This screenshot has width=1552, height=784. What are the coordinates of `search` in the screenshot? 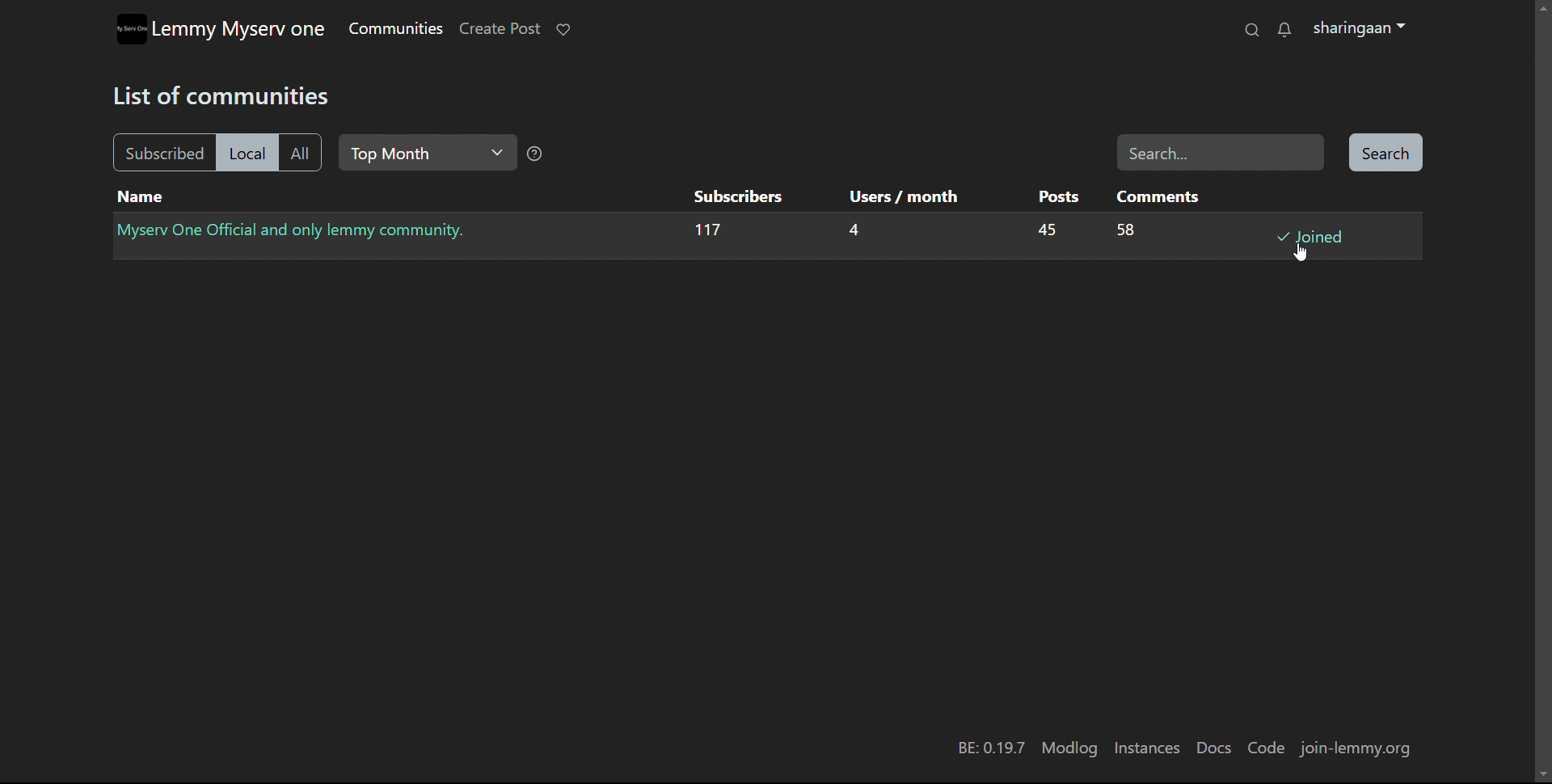 It's located at (1385, 154).